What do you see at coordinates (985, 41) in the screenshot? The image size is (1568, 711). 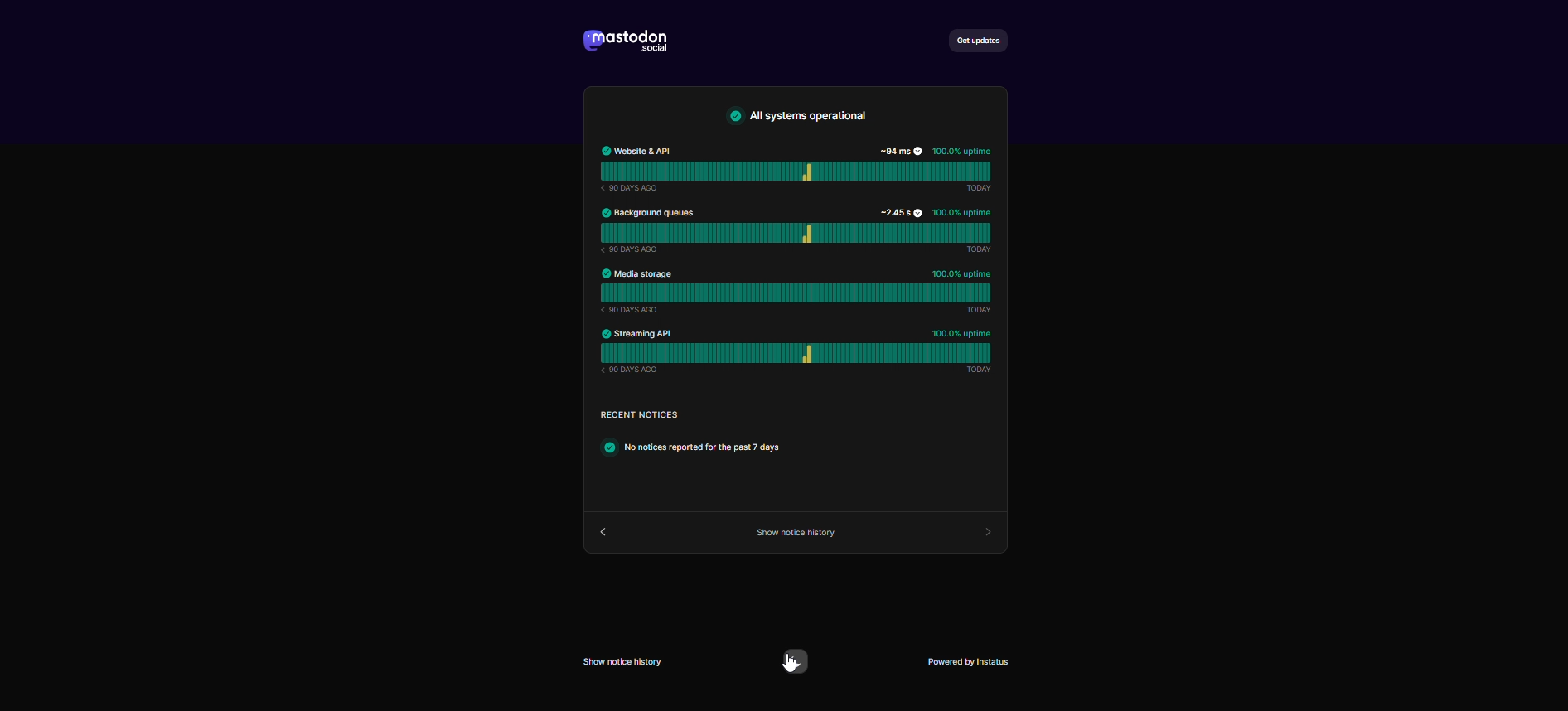 I see `get updates` at bounding box center [985, 41].